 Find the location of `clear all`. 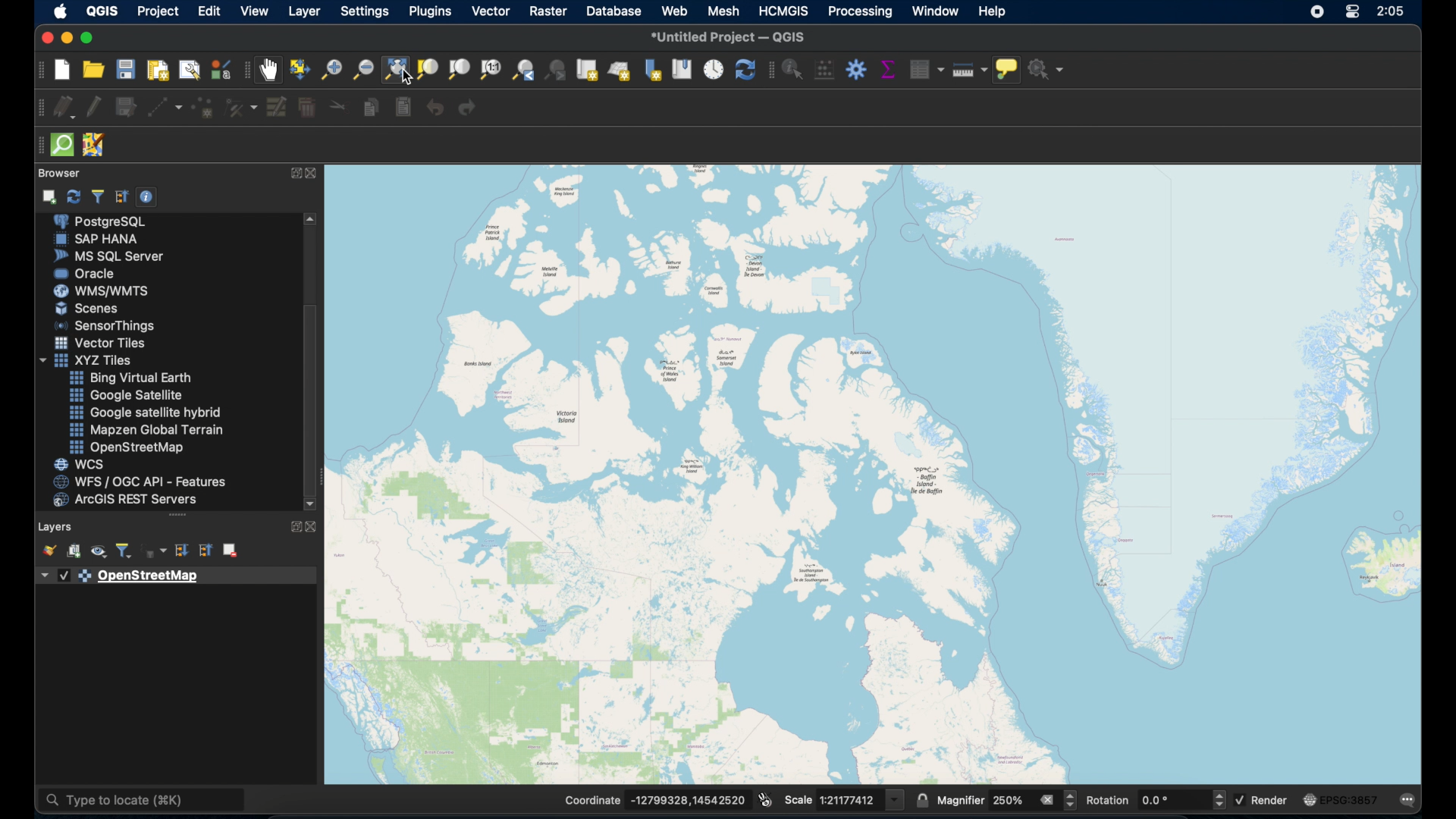

clear all is located at coordinates (1048, 800).